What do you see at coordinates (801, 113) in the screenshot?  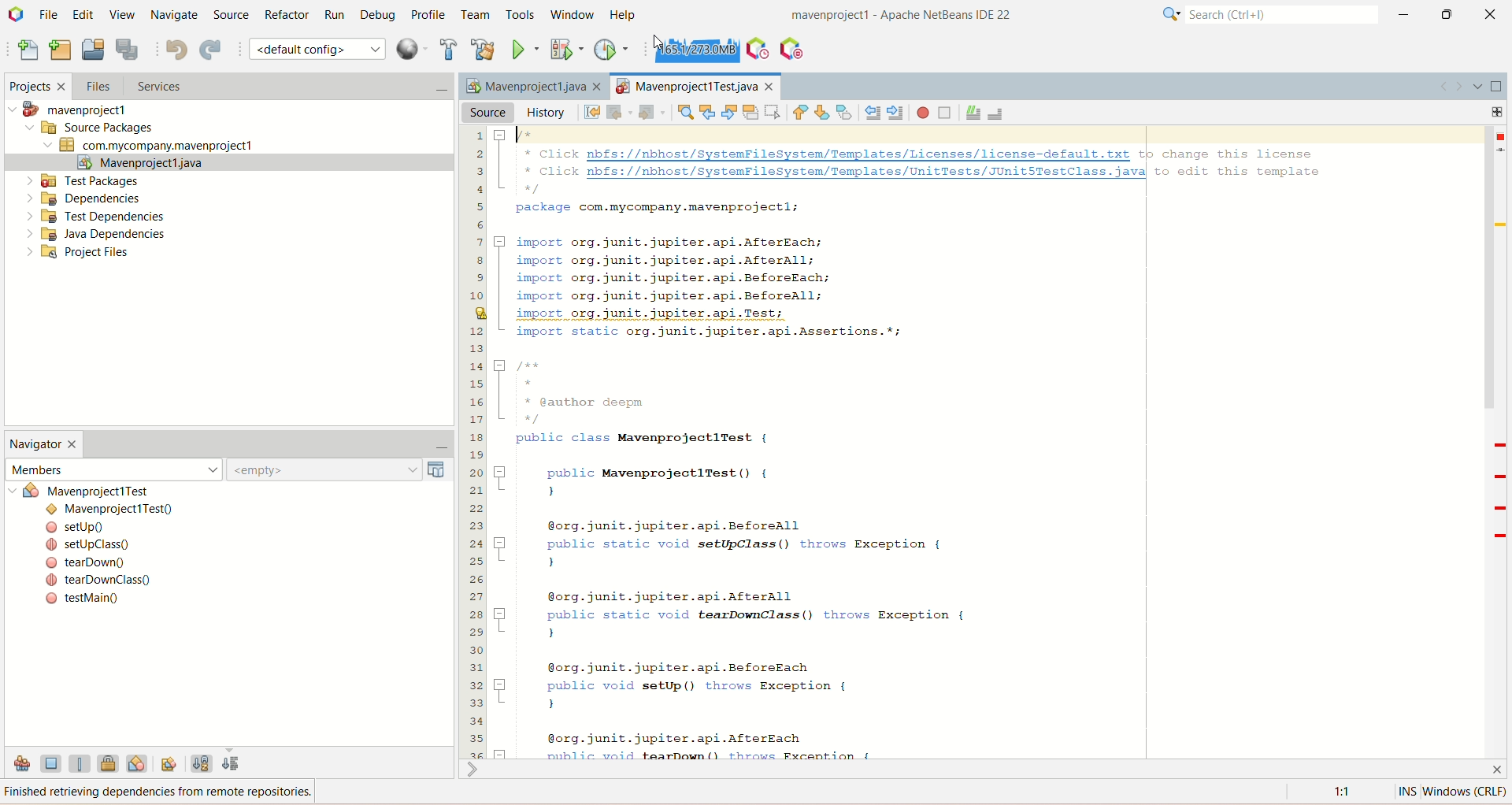 I see `previous bookmark` at bounding box center [801, 113].